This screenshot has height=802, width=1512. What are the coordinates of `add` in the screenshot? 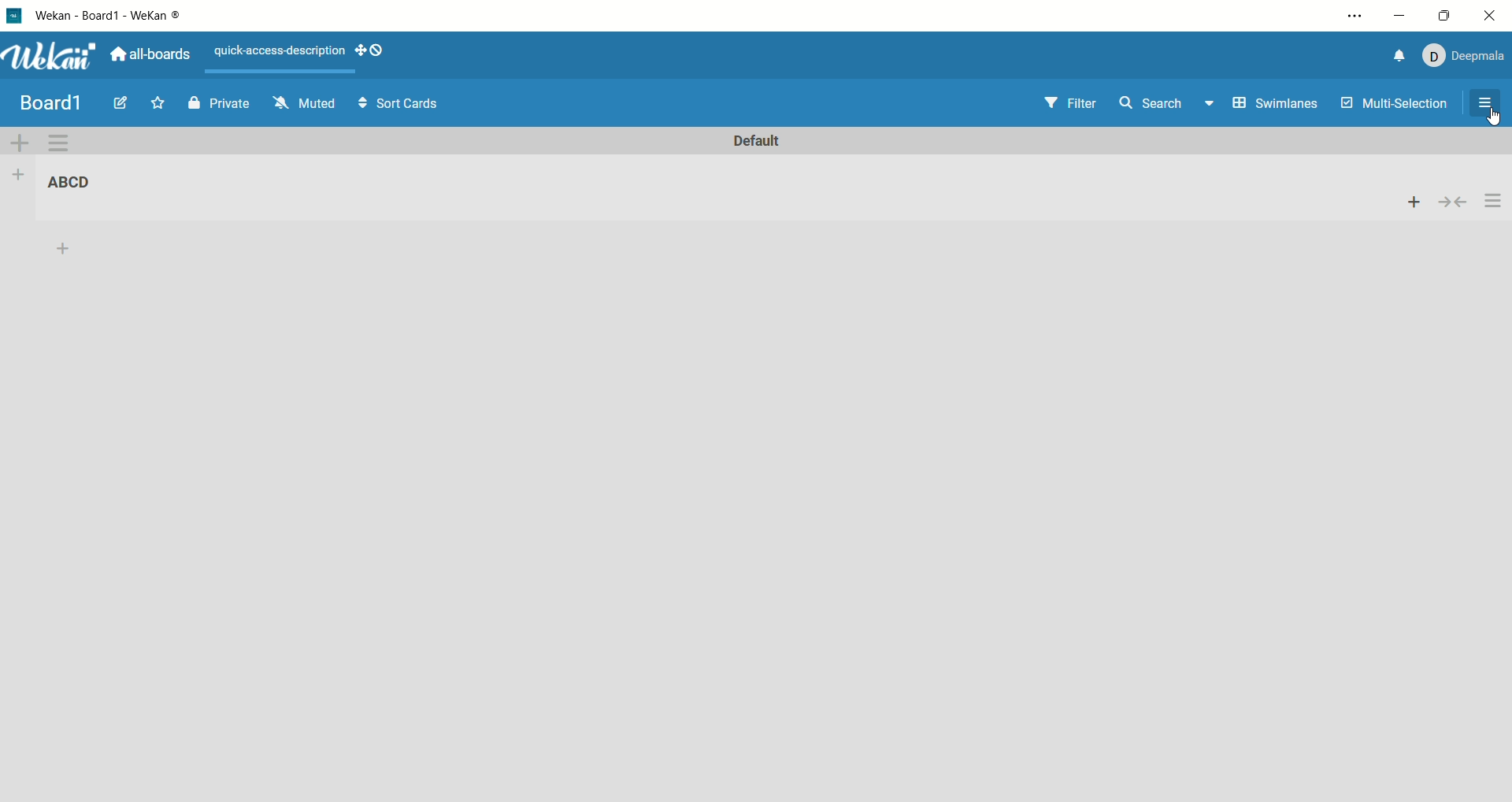 It's located at (1414, 204).